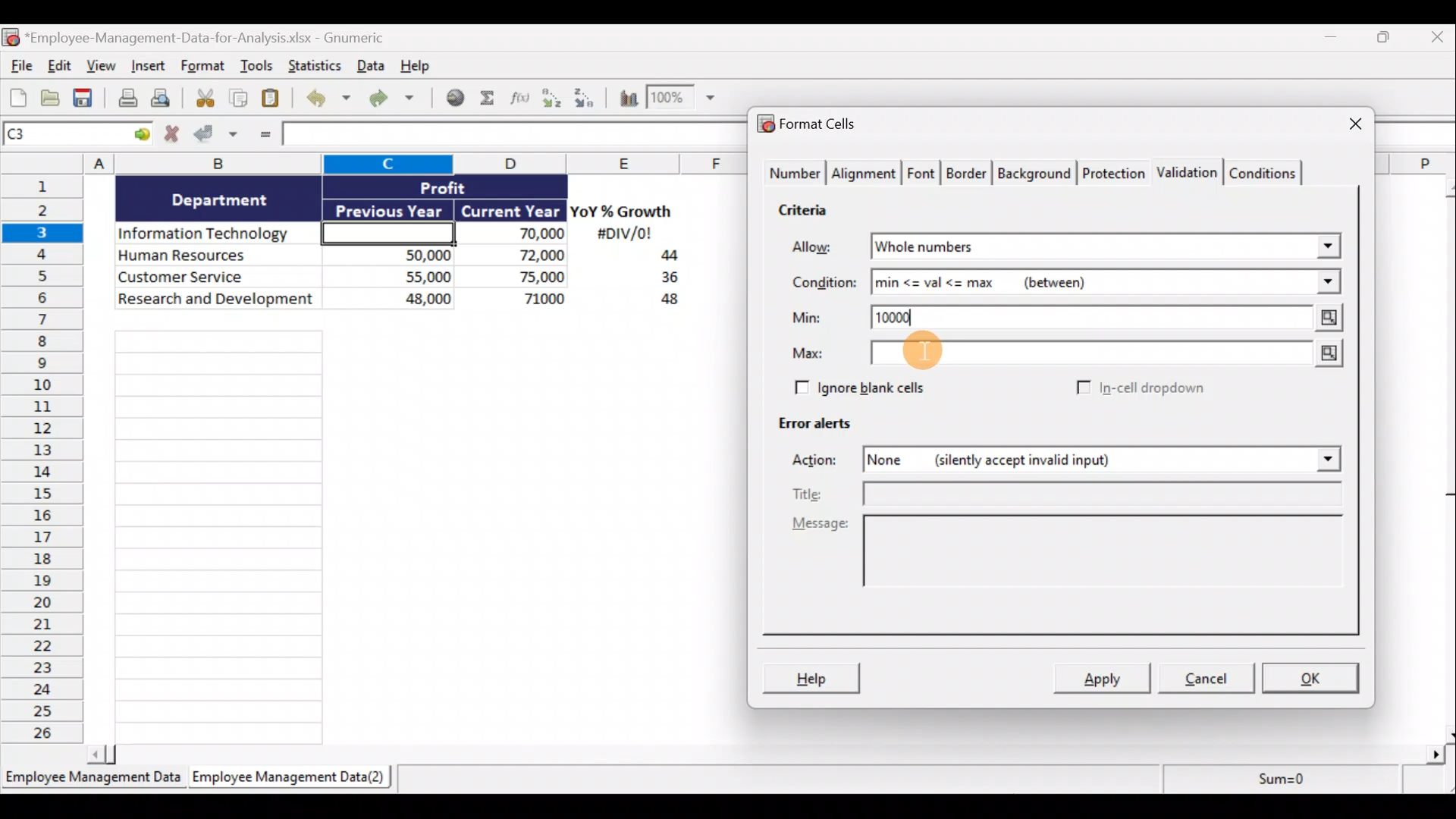  What do you see at coordinates (257, 67) in the screenshot?
I see `Tools` at bounding box center [257, 67].